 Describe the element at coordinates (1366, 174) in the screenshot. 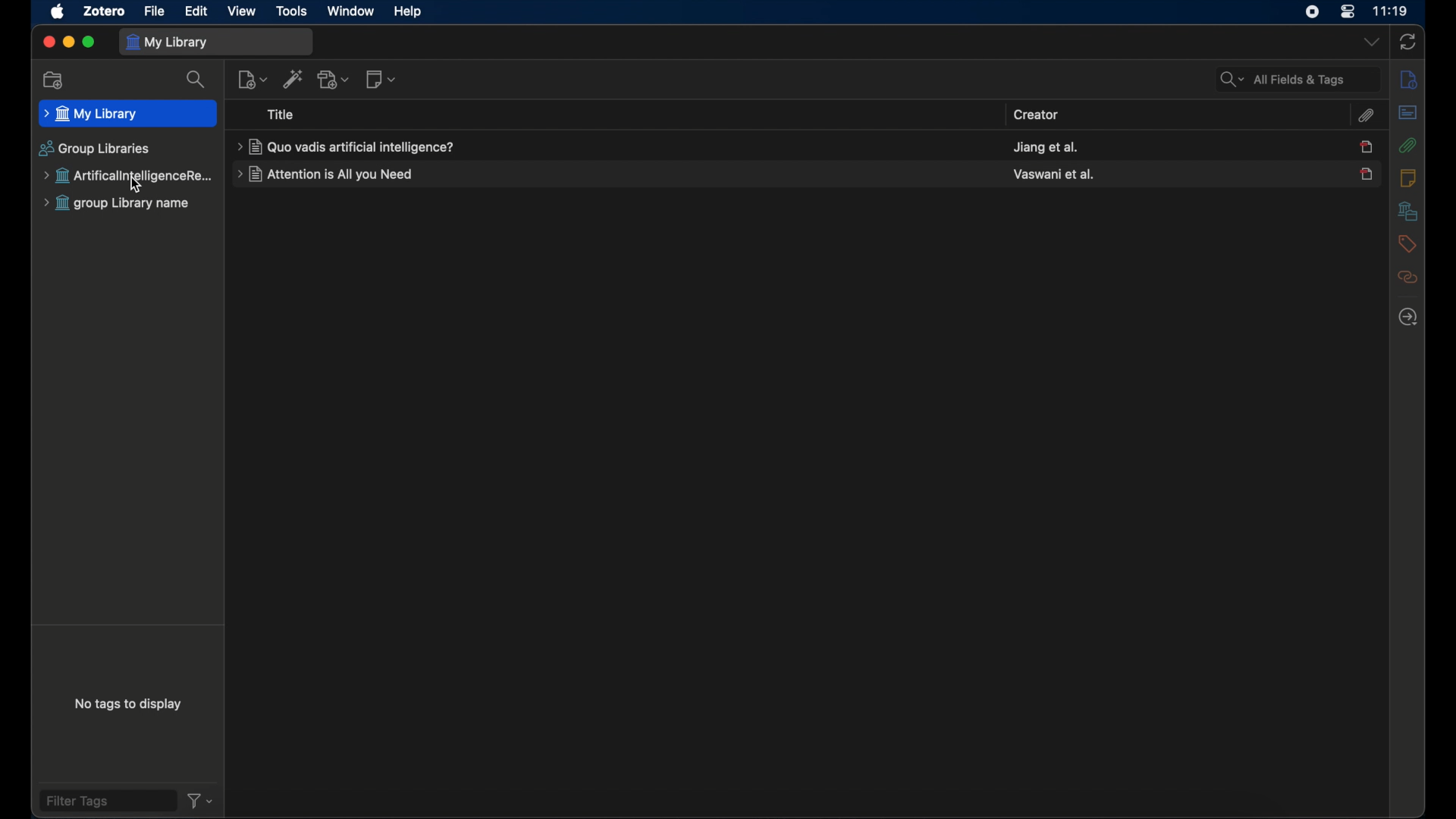

I see `item ` at that location.